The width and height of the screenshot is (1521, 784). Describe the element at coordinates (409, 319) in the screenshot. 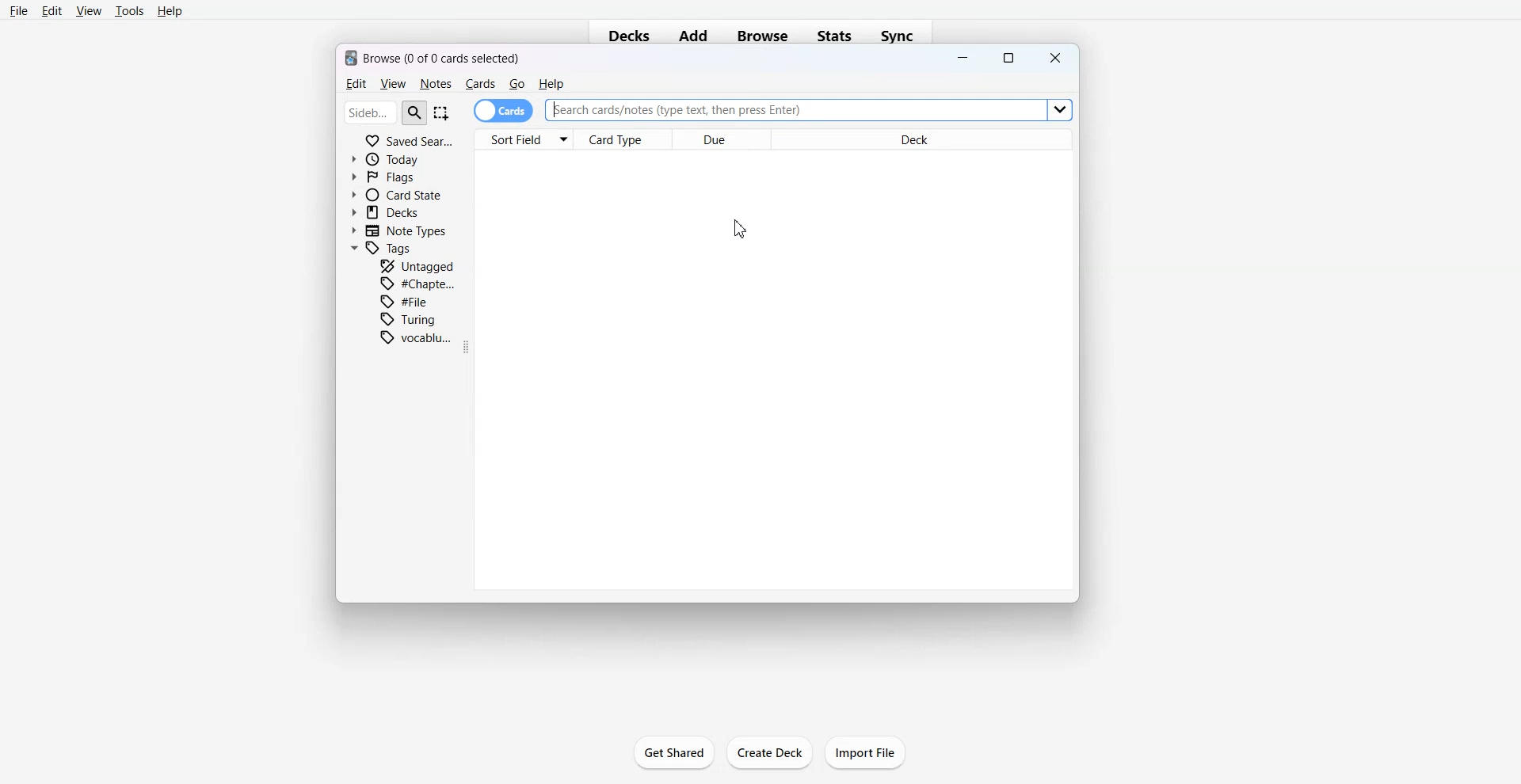

I see `Turing` at that location.